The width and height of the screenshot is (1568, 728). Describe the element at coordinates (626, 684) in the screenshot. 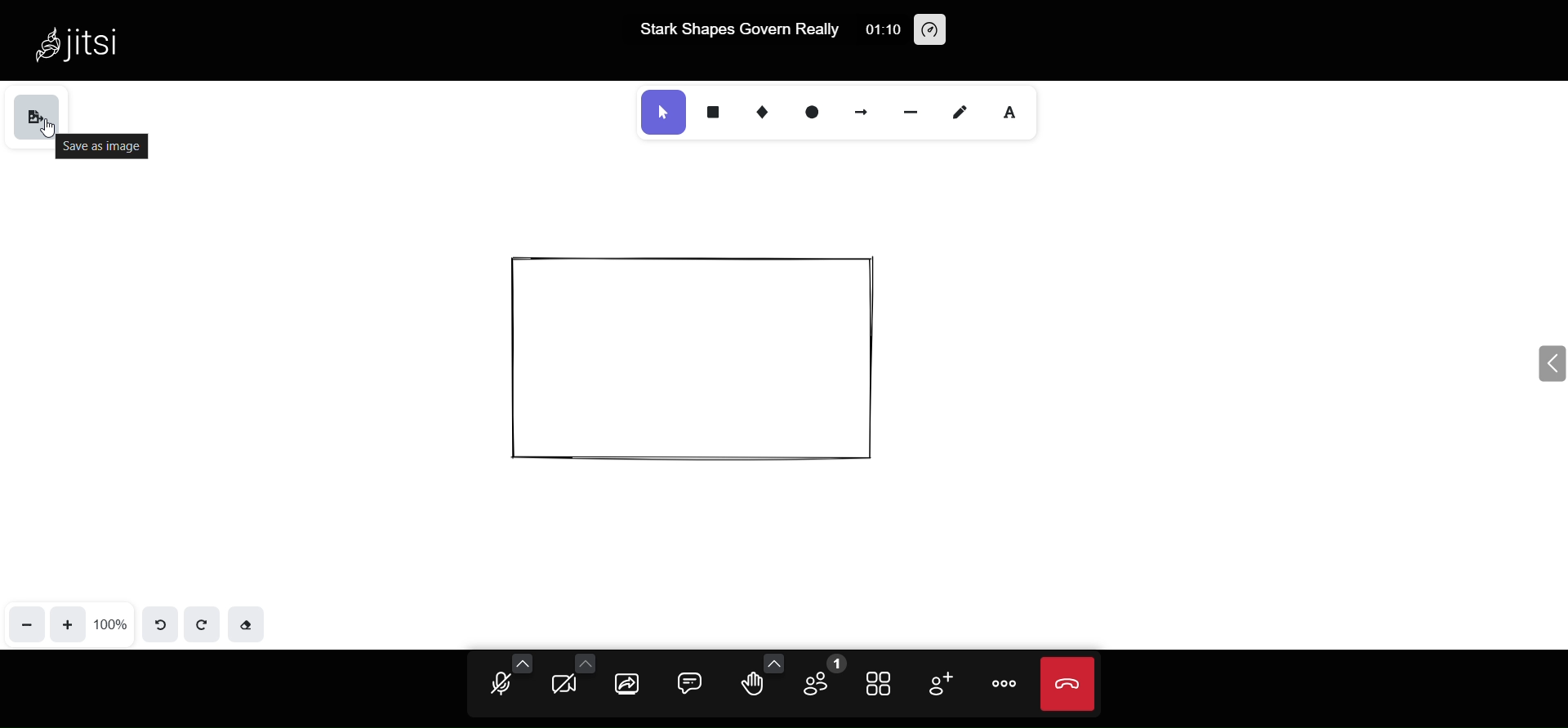

I see `share screen` at that location.